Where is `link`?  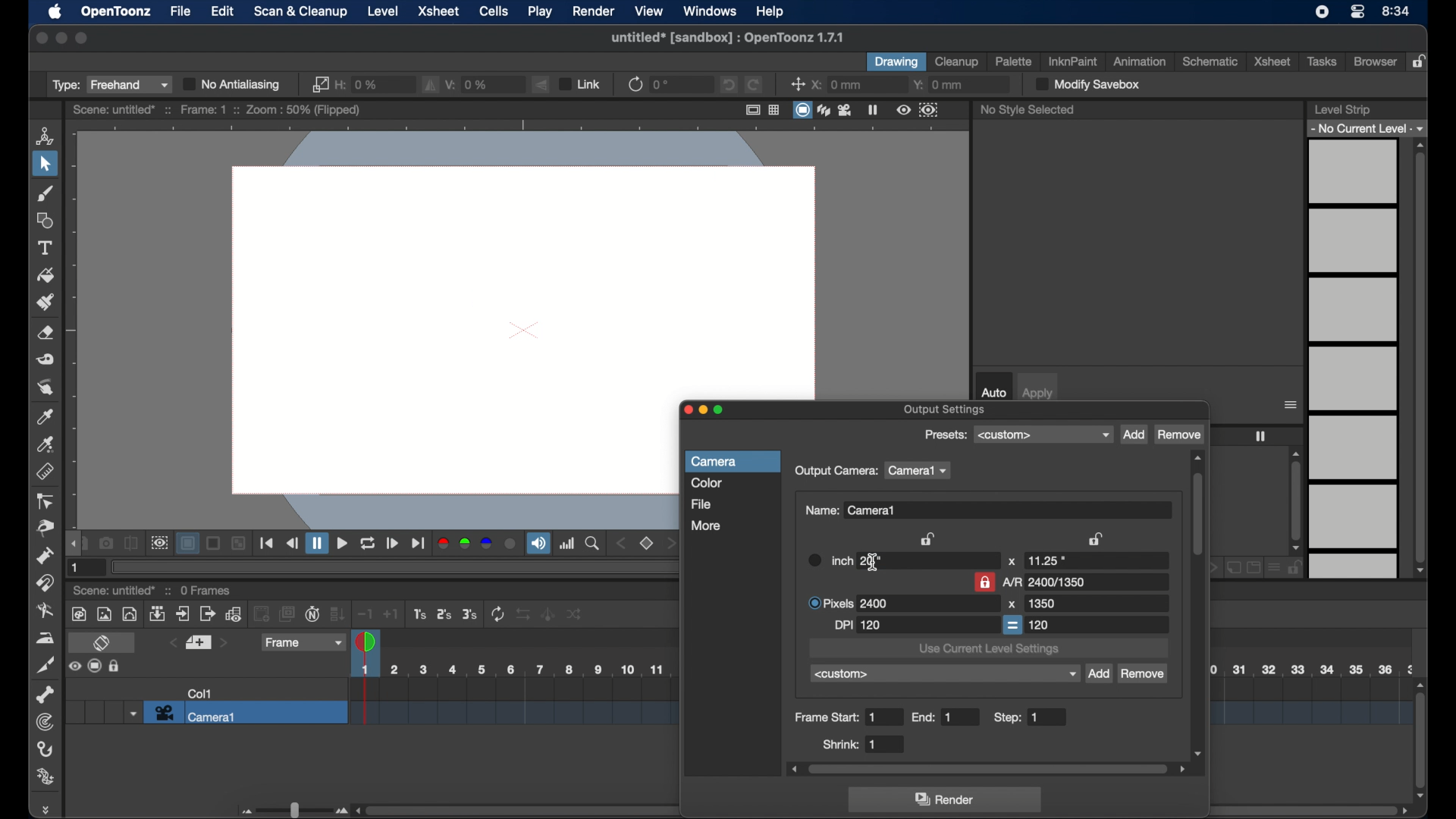
link is located at coordinates (318, 84).